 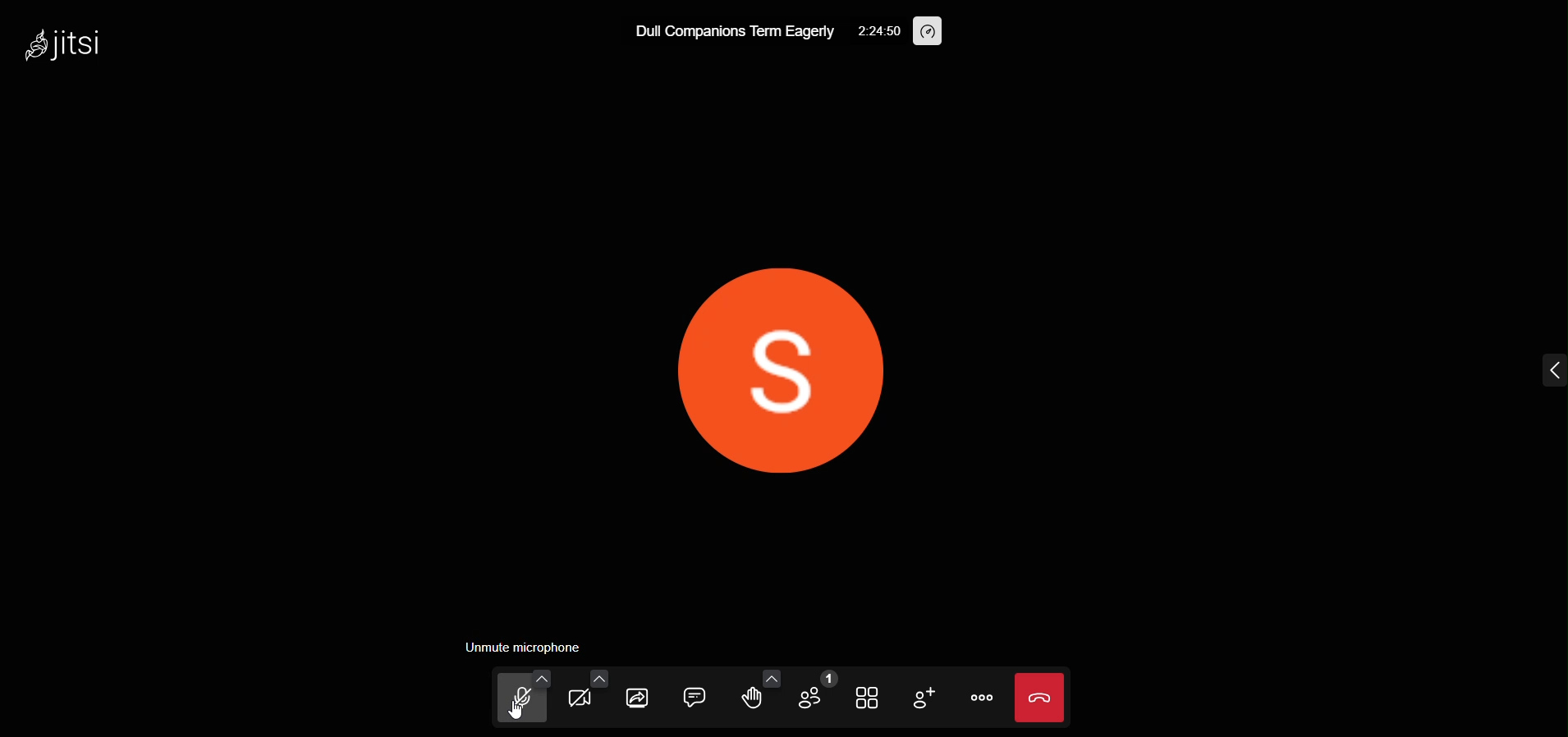 I want to click on camera off, so click(x=585, y=698).